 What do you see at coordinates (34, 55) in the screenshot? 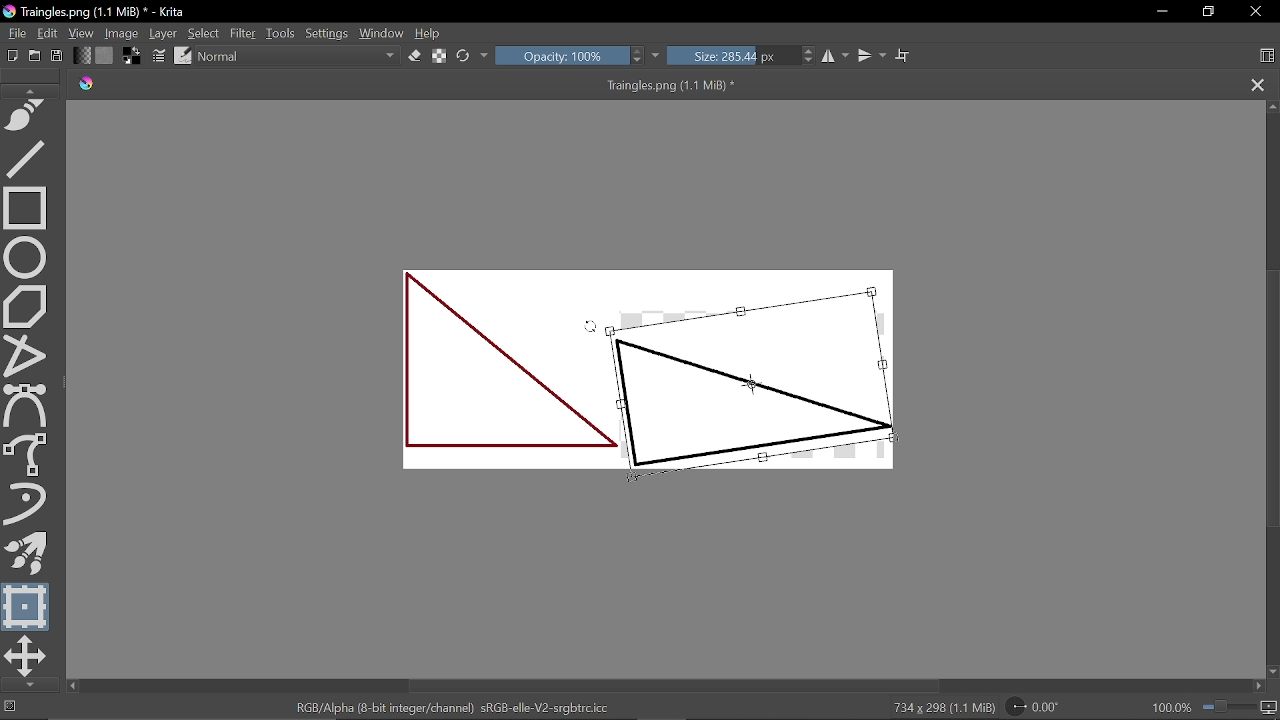
I see `Open document` at bounding box center [34, 55].